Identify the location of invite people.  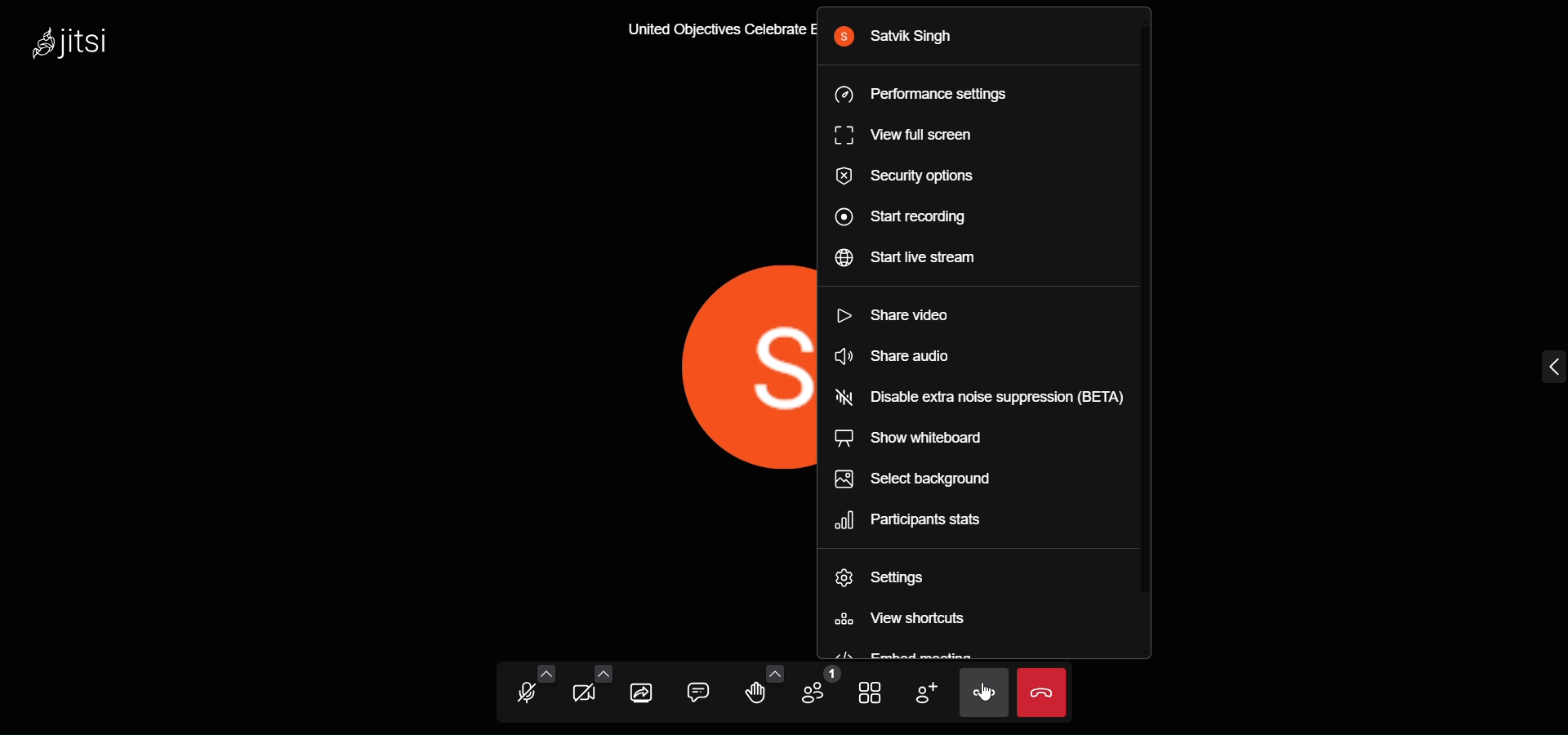
(925, 694).